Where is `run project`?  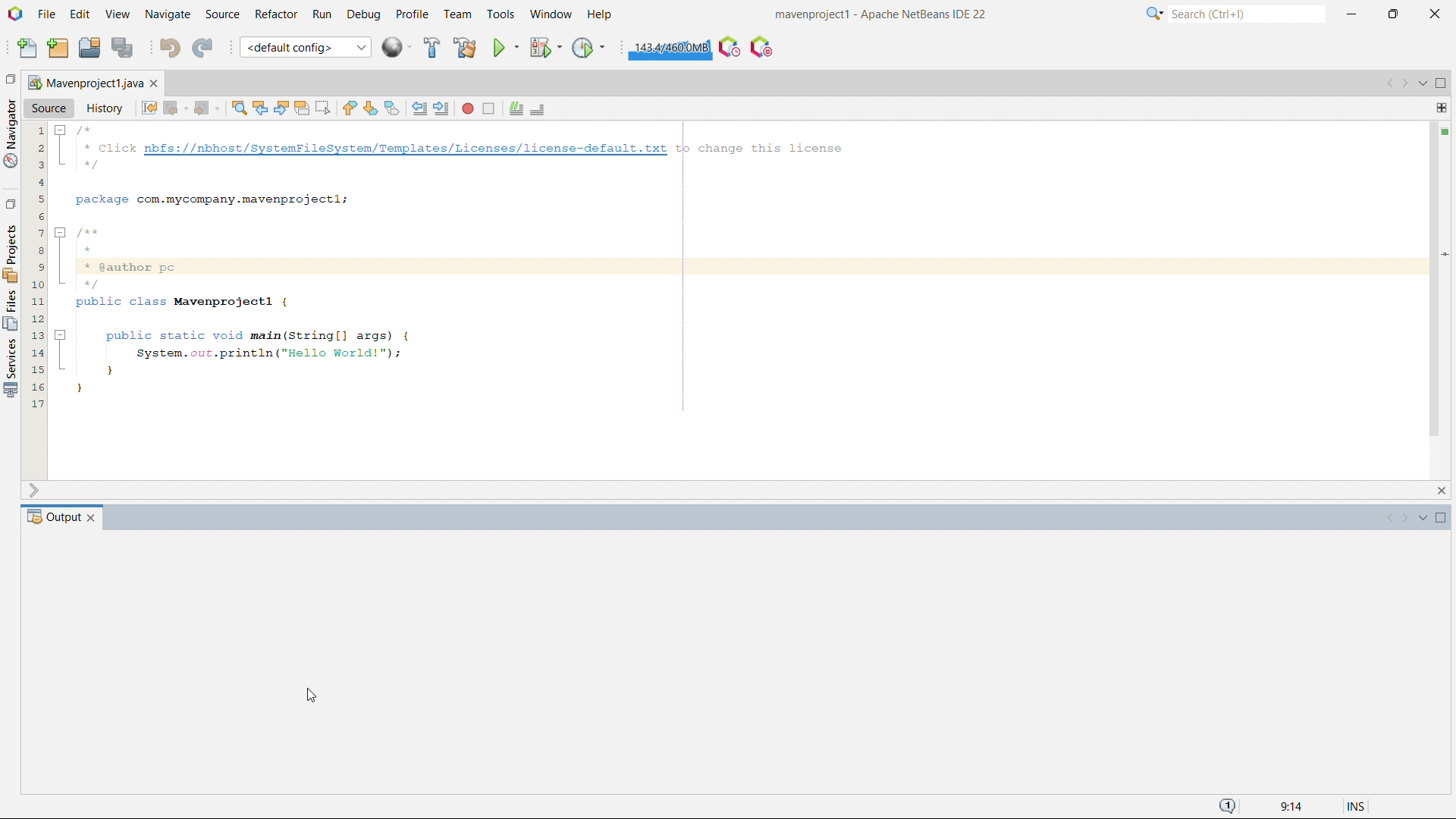 run project is located at coordinates (505, 47).